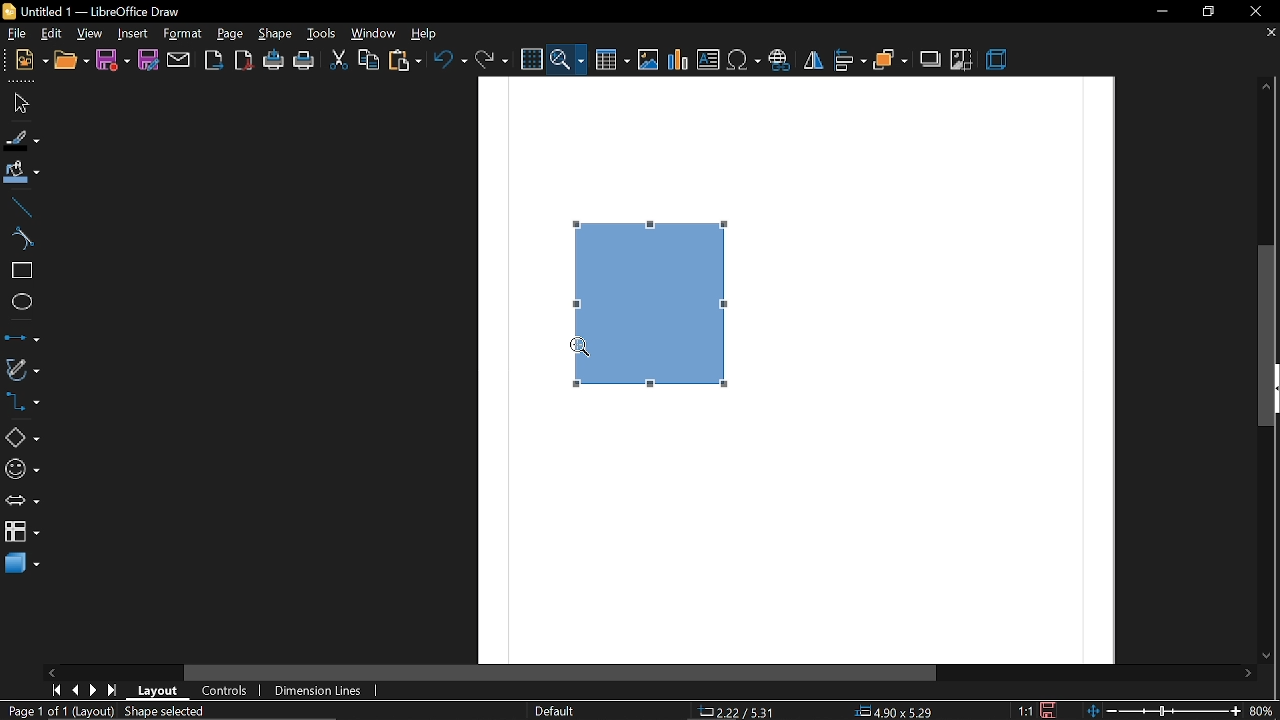  Describe the element at coordinates (58, 711) in the screenshot. I see `current page` at that location.